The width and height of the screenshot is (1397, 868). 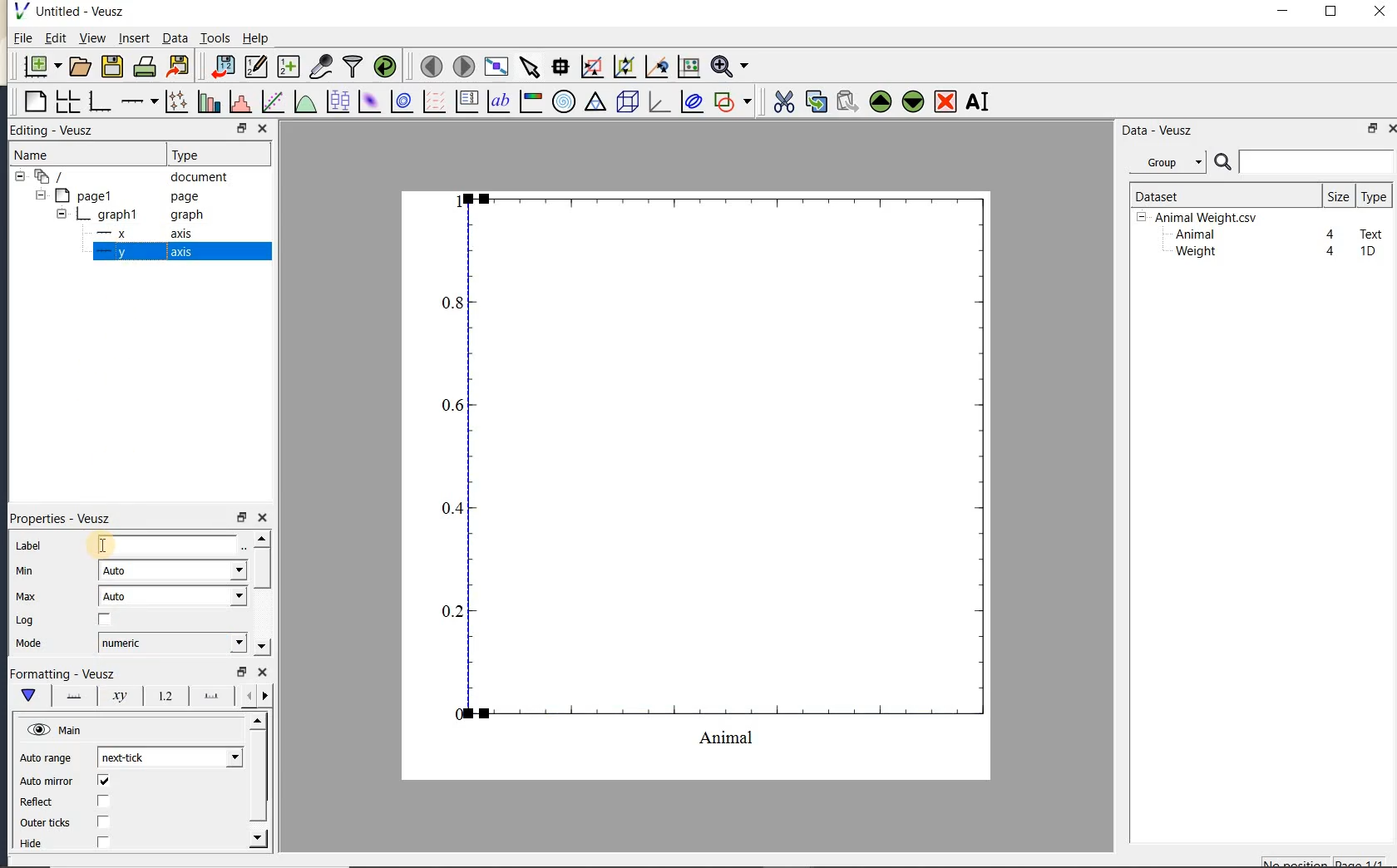 I want to click on File, so click(x=23, y=38).